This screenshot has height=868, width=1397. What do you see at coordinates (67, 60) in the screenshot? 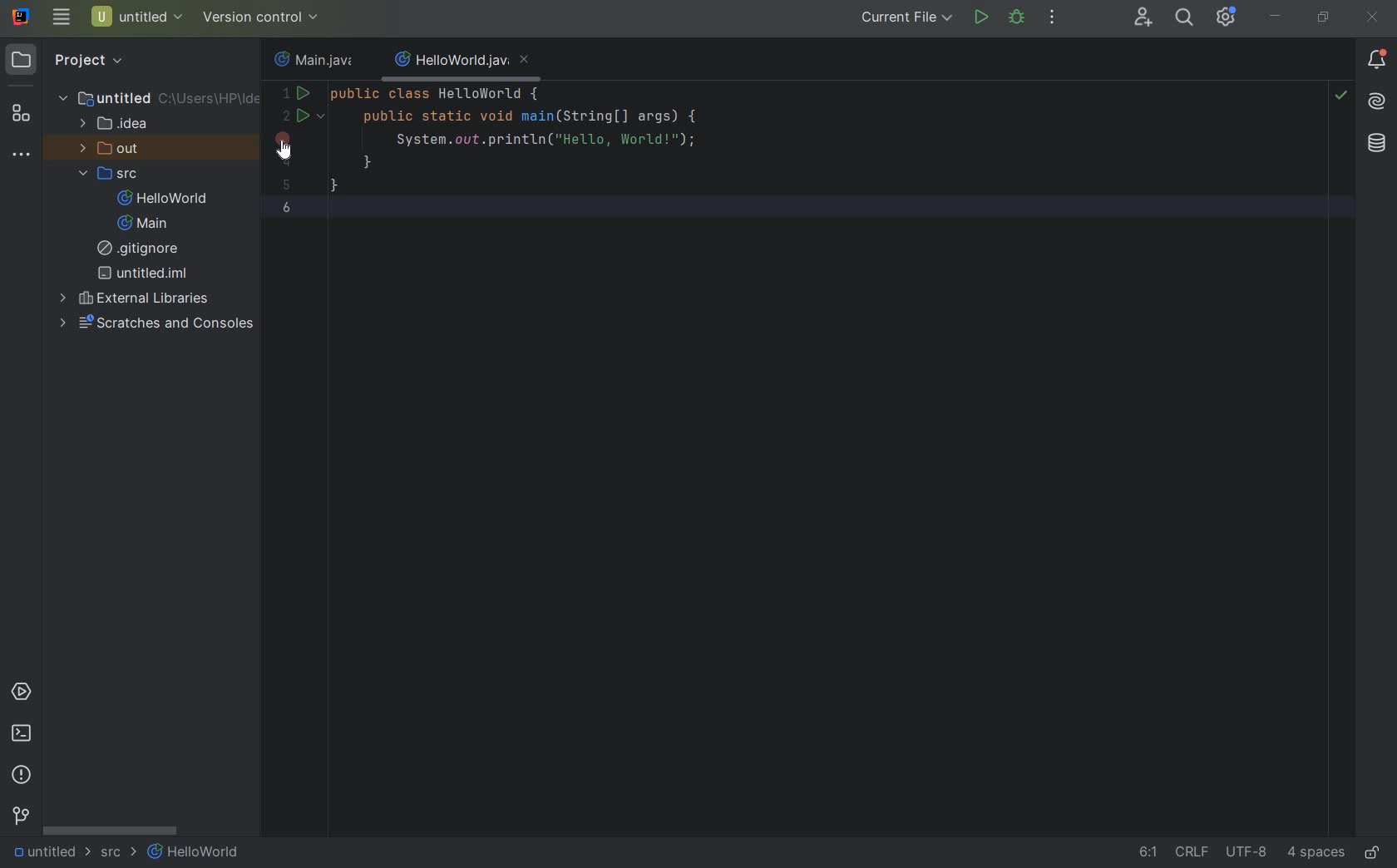
I see `project` at bounding box center [67, 60].